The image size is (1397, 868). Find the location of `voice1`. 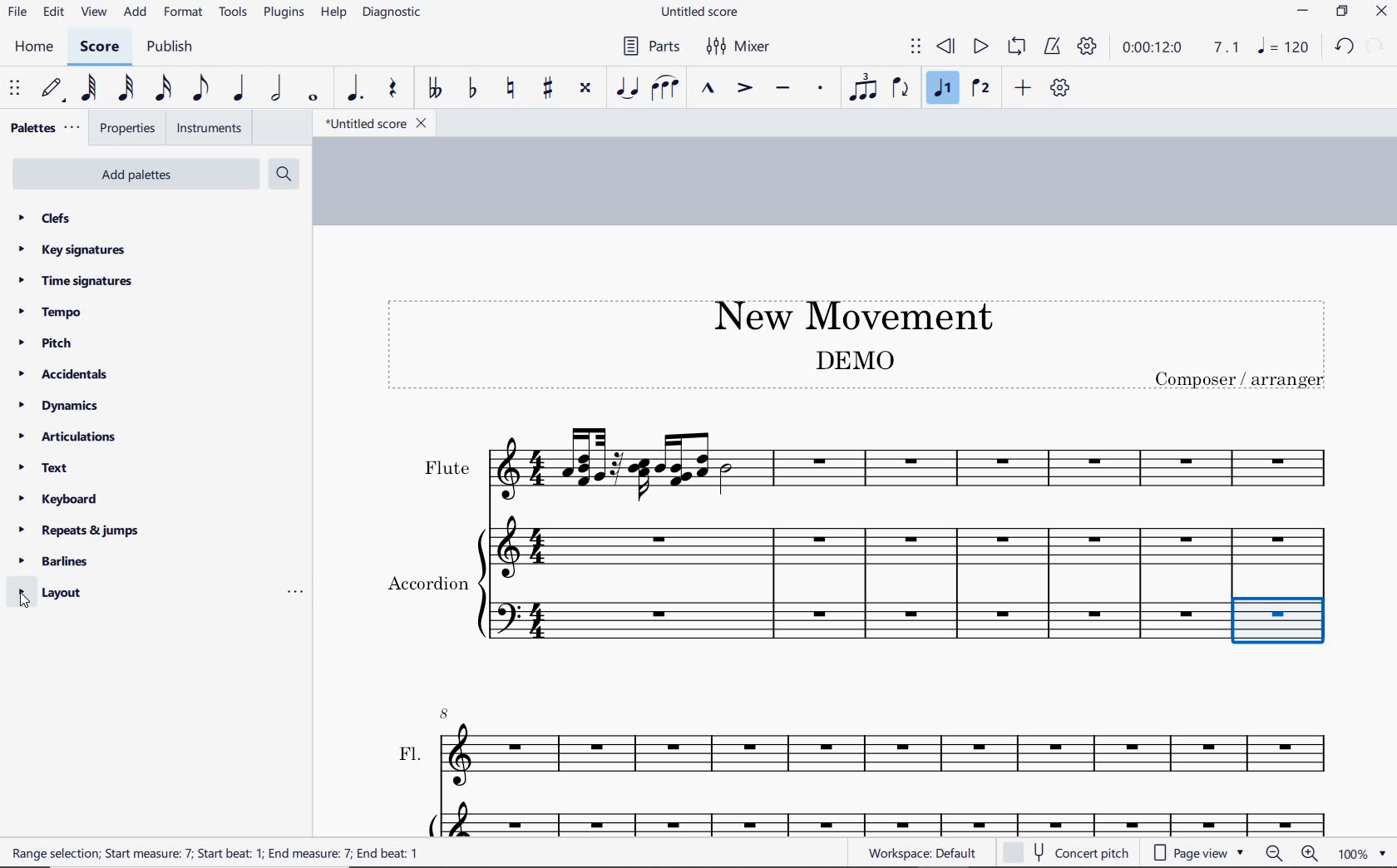

voice1 is located at coordinates (945, 89).